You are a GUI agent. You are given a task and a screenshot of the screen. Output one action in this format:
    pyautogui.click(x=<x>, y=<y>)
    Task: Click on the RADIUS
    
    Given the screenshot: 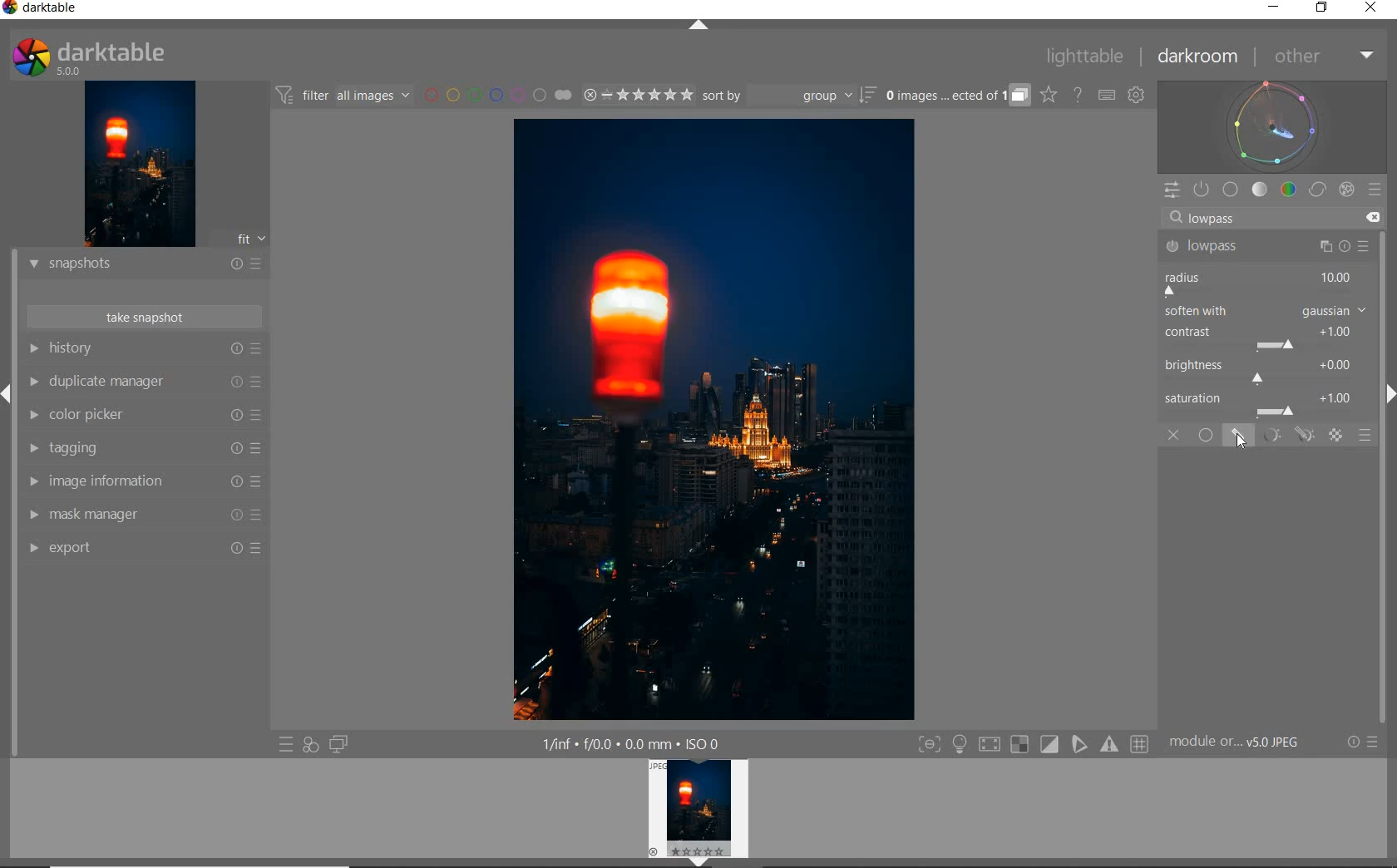 What is the action you would take?
    pyautogui.click(x=1263, y=282)
    